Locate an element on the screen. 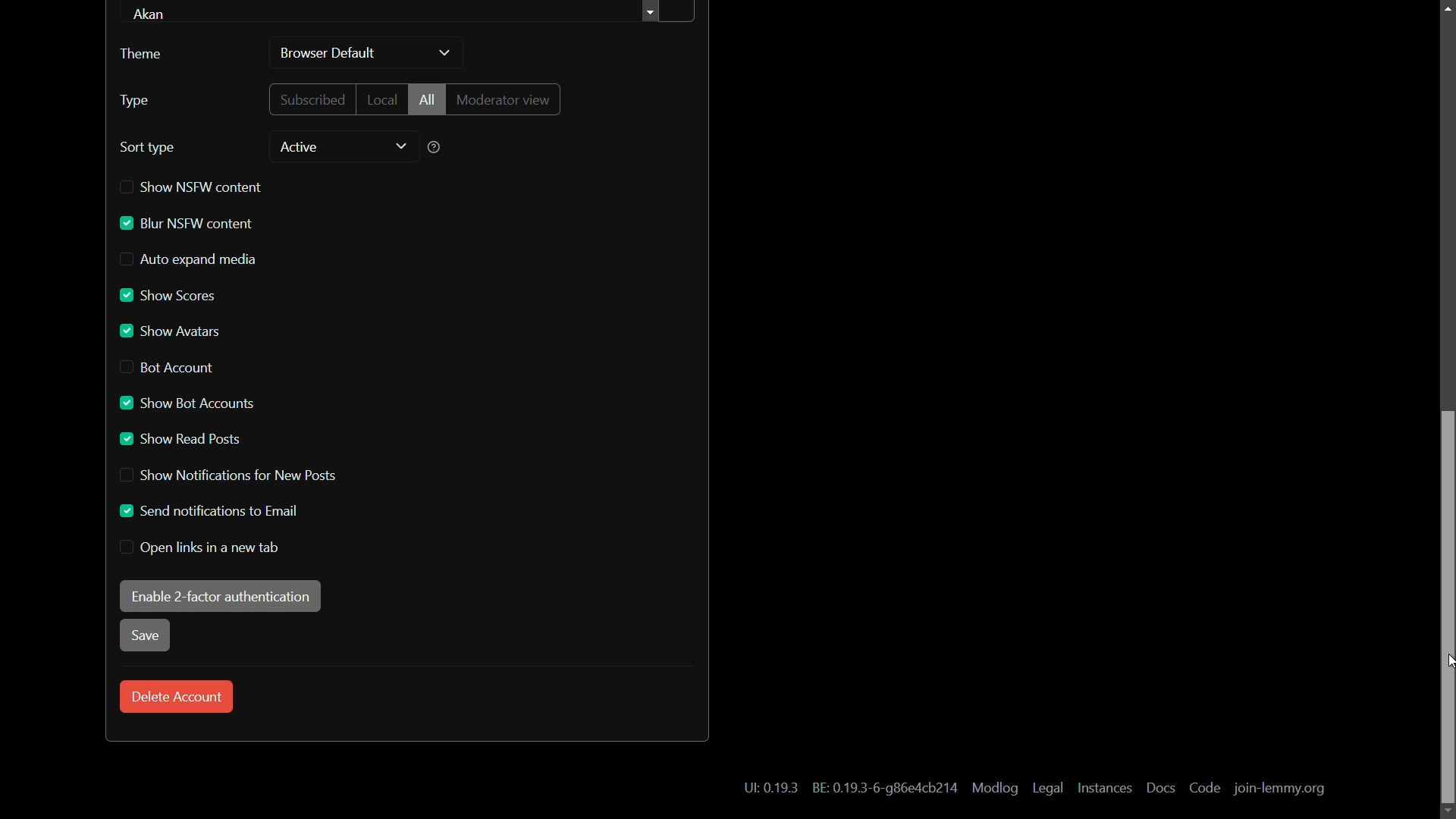 The width and height of the screenshot is (1456, 819). text is located at coordinates (770, 789).